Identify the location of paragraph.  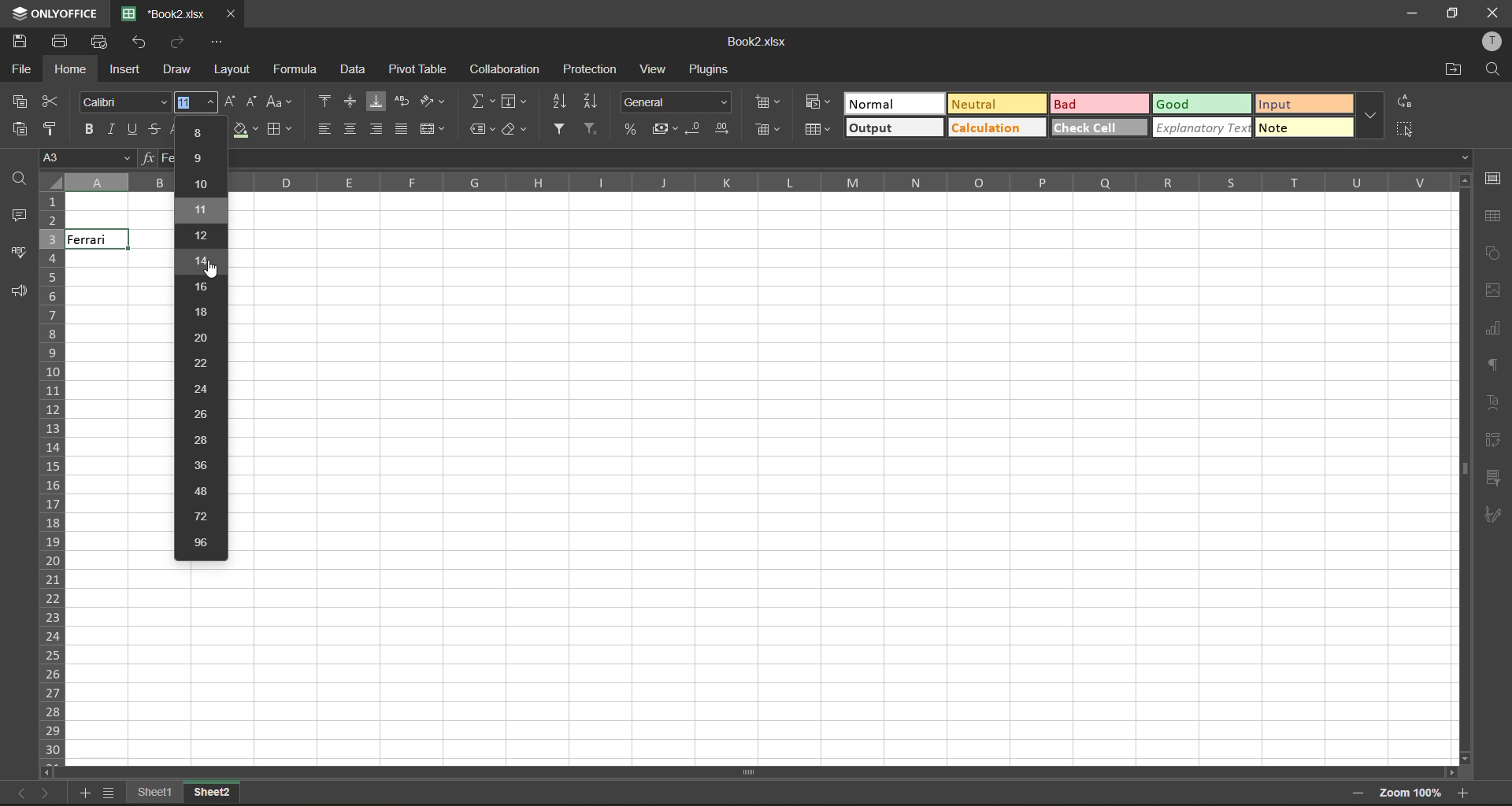
(1496, 367).